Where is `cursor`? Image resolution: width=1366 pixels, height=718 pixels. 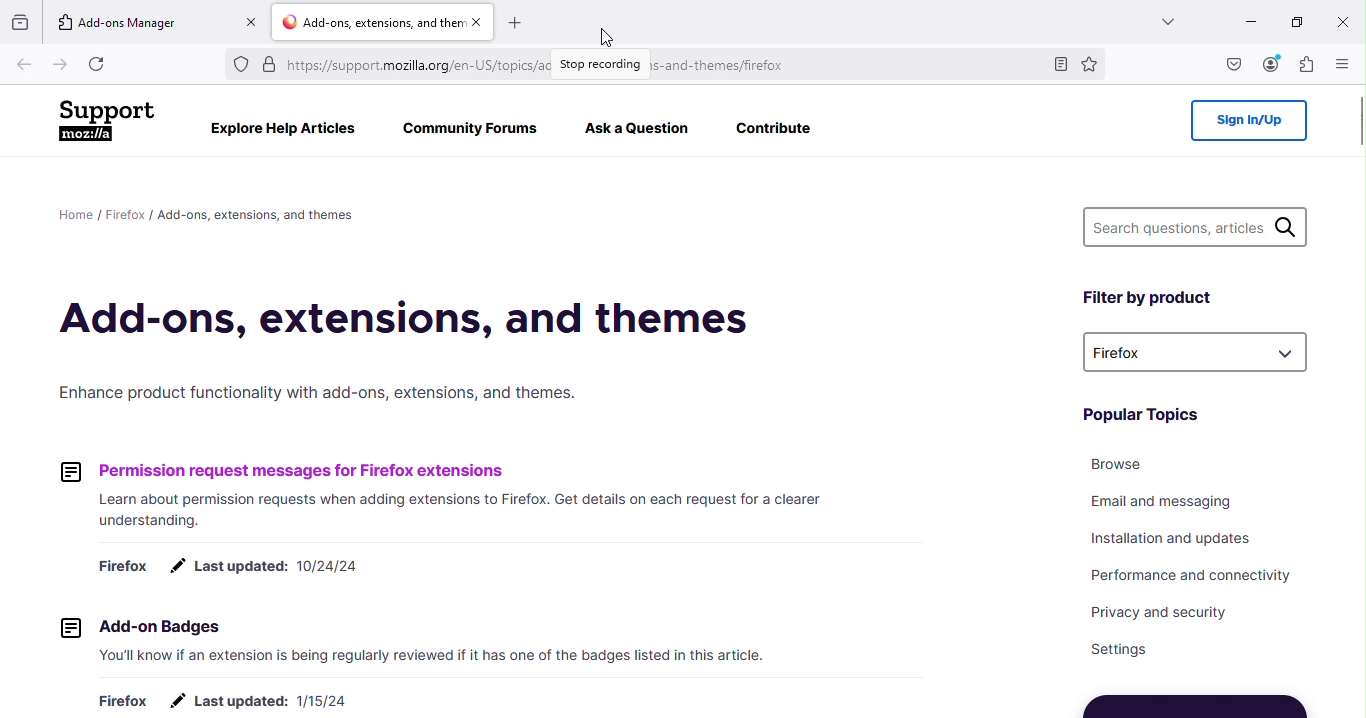 cursor is located at coordinates (603, 37).